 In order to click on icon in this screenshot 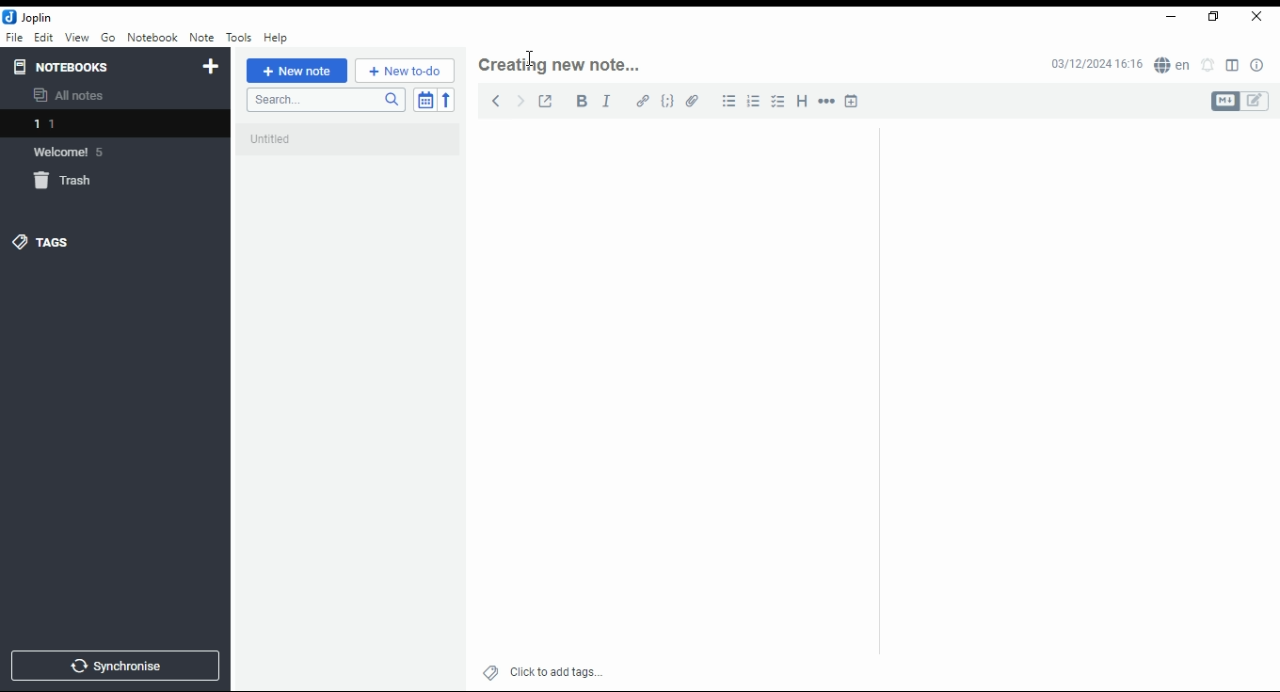, I will do `click(30, 17)`.